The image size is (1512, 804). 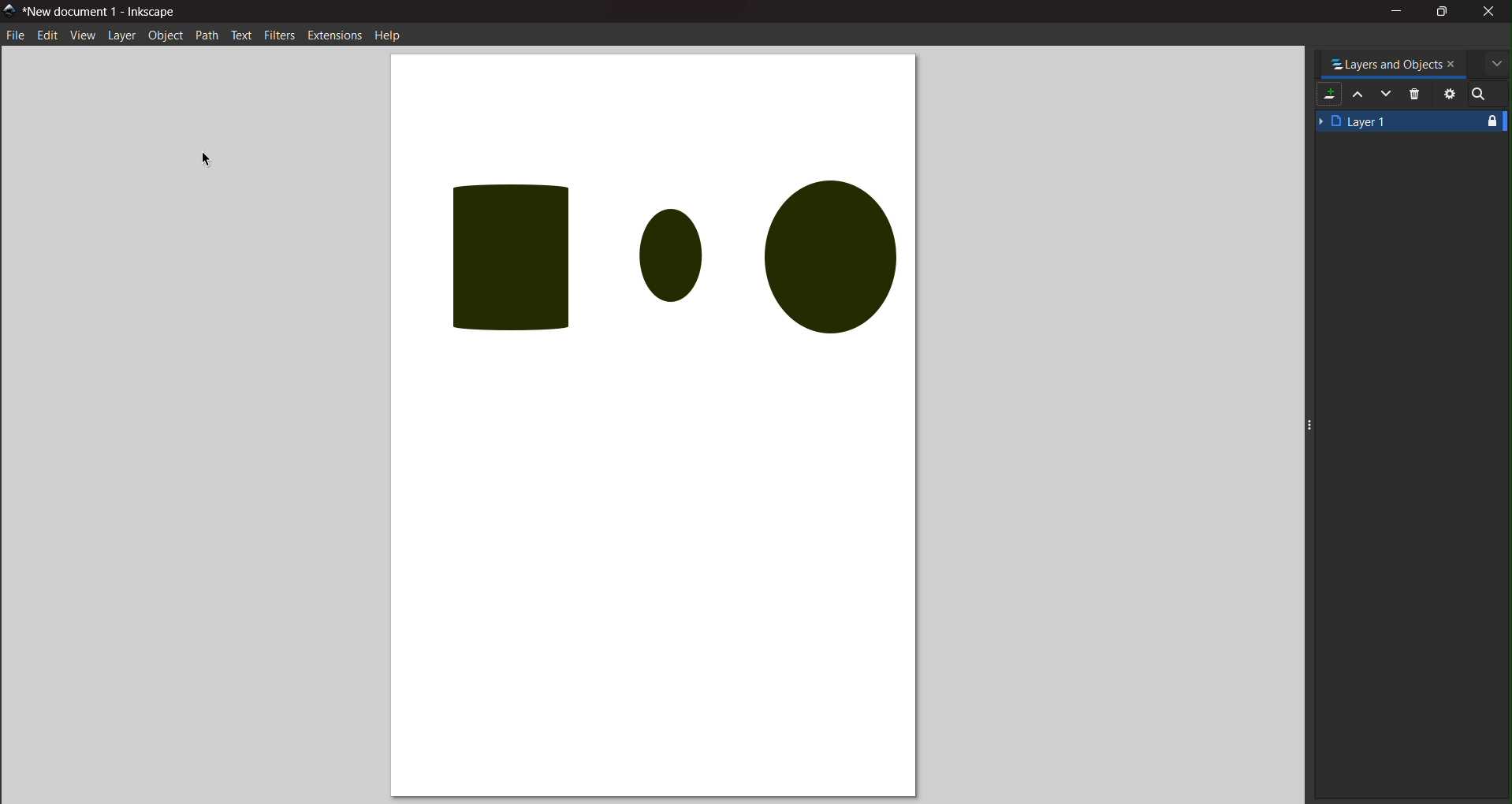 What do you see at coordinates (47, 35) in the screenshot?
I see `edit` at bounding box center [47, 35].